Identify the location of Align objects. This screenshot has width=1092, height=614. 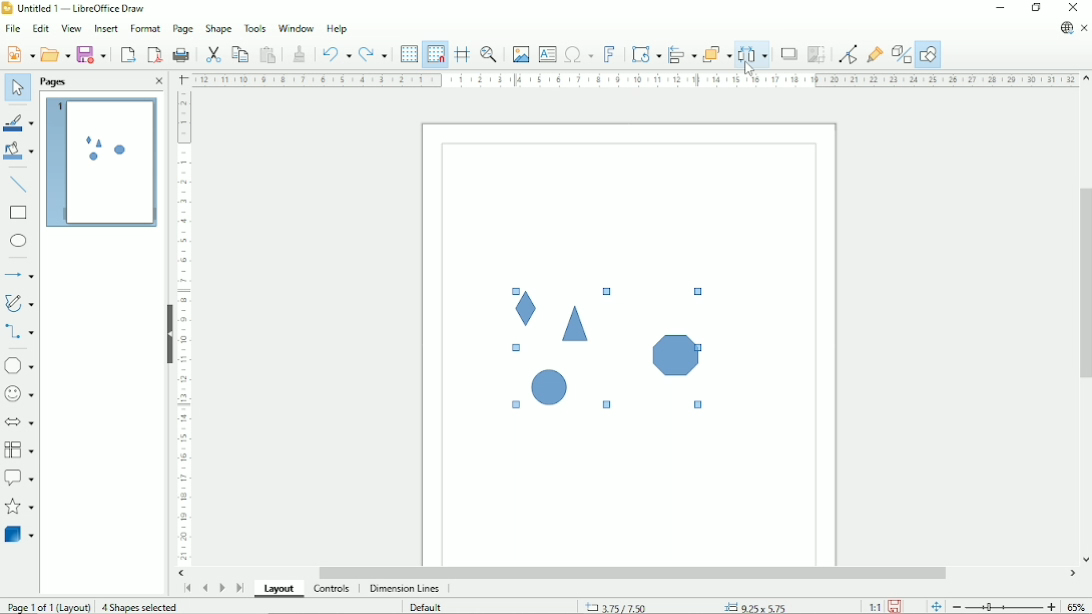
(681, 54).